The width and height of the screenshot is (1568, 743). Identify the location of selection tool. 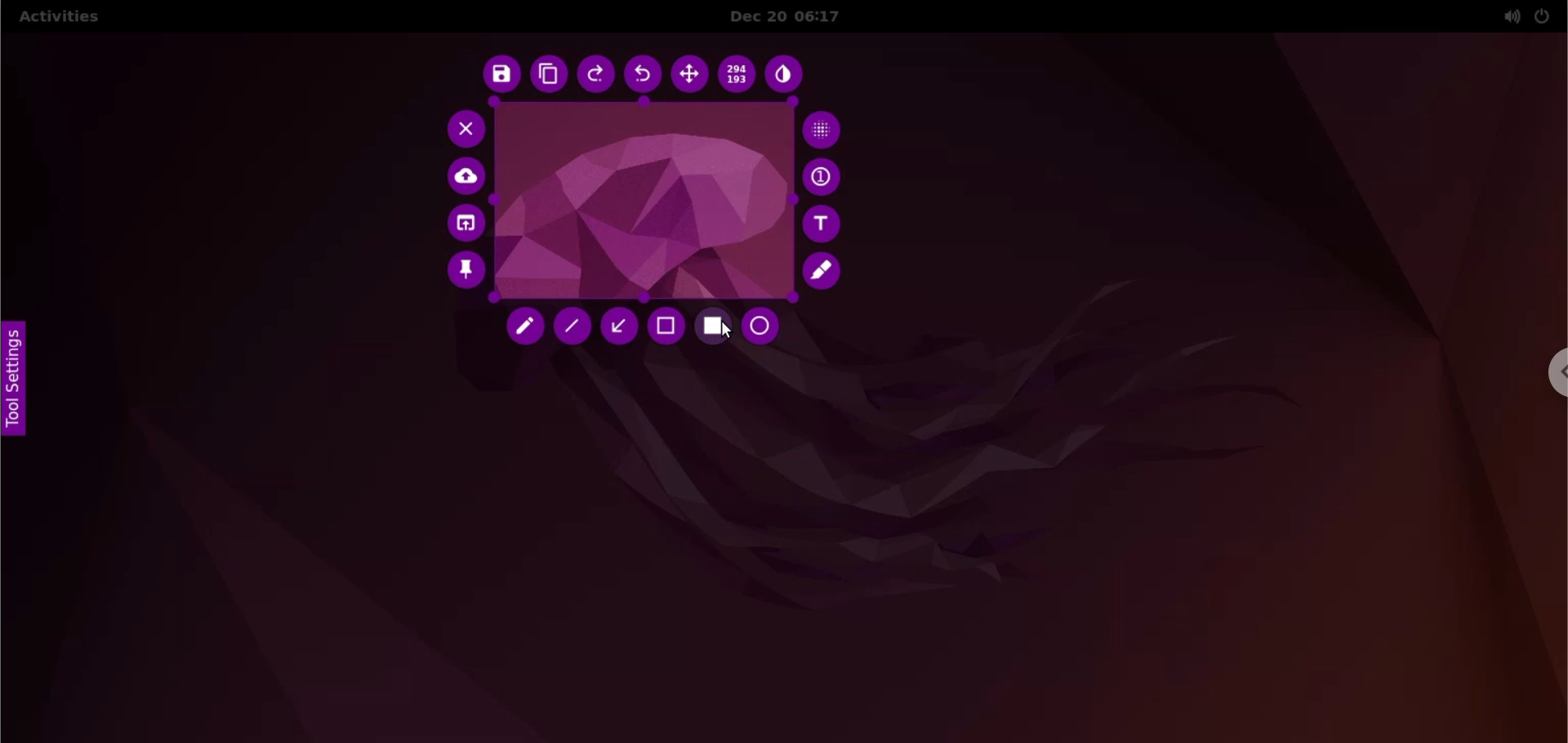
(667, 327).